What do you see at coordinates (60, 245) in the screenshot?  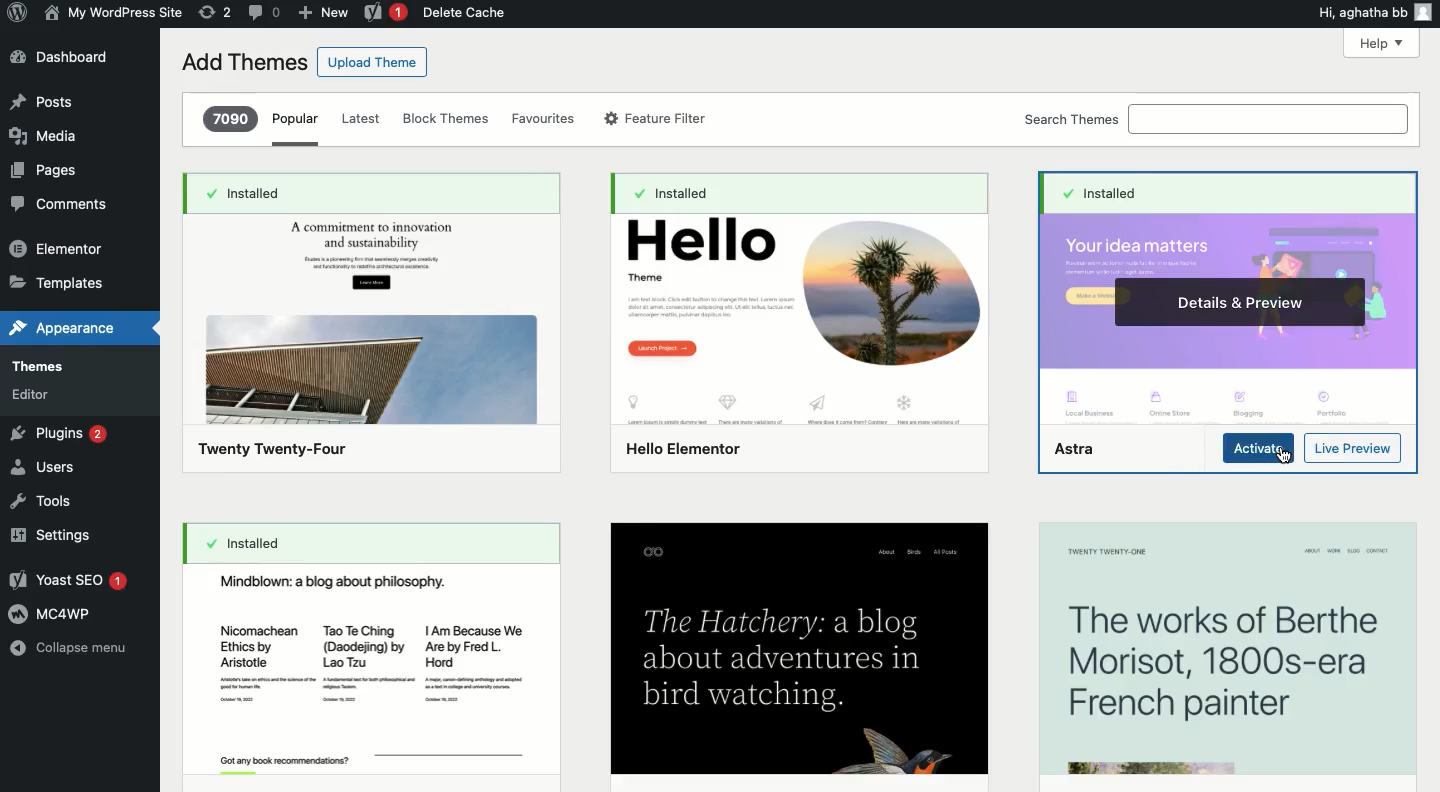 I see `Elementor` at bounding box center [60, 245].